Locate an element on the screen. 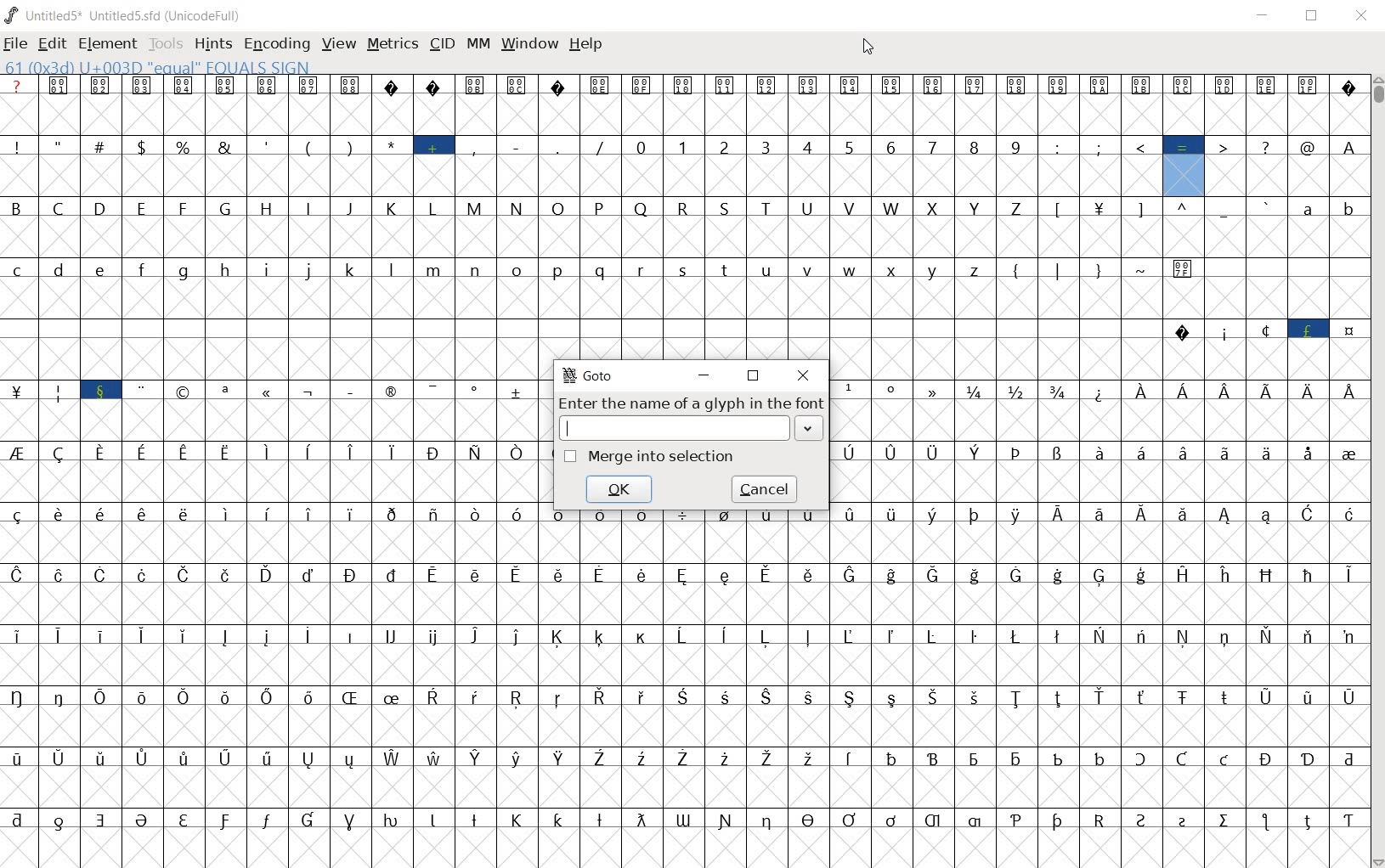 This screenshot has width=1385, height=868. mm is located at coordinates (478, 45).